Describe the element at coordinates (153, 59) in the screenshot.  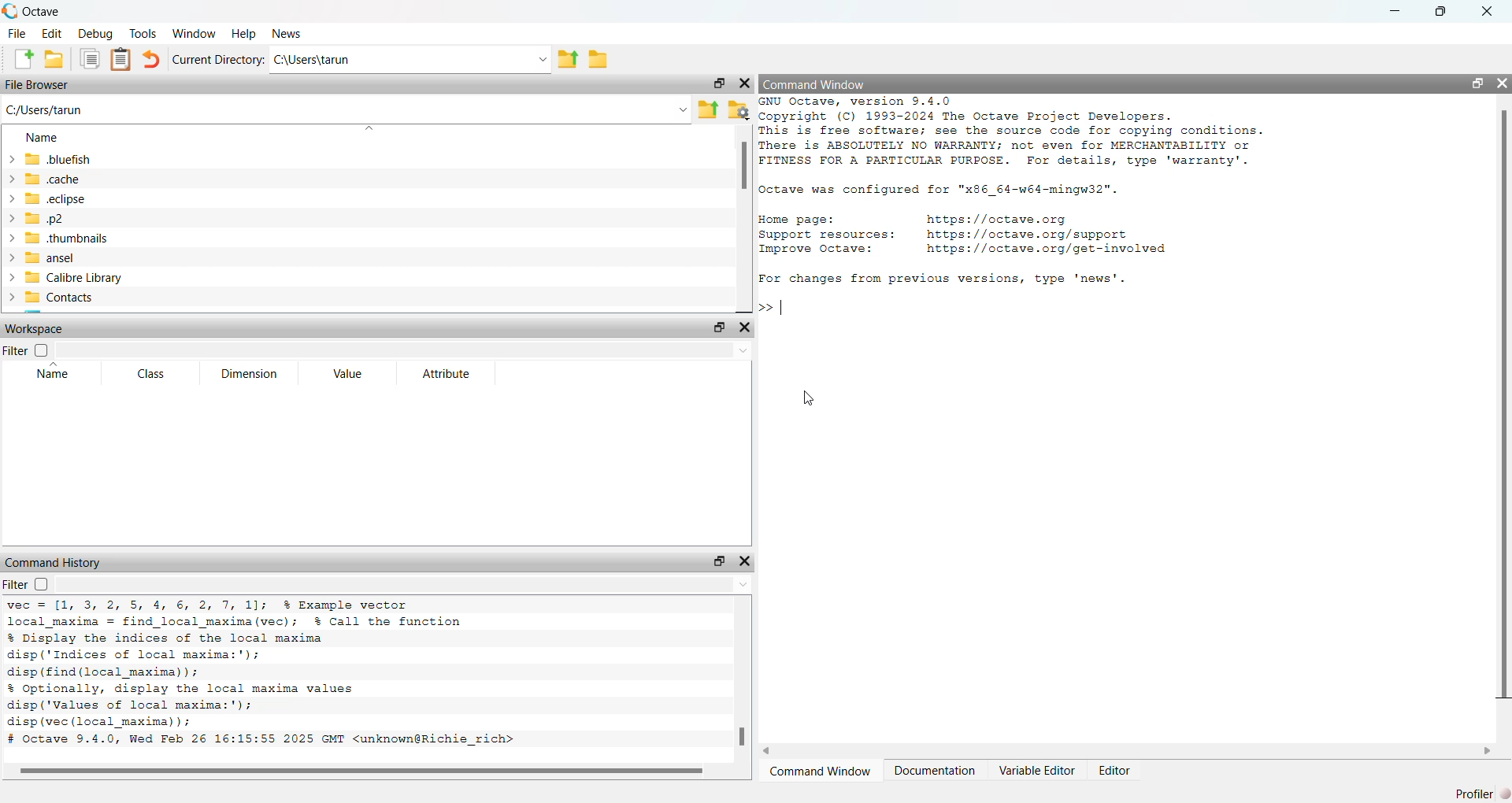
I see `Undo` at that location.